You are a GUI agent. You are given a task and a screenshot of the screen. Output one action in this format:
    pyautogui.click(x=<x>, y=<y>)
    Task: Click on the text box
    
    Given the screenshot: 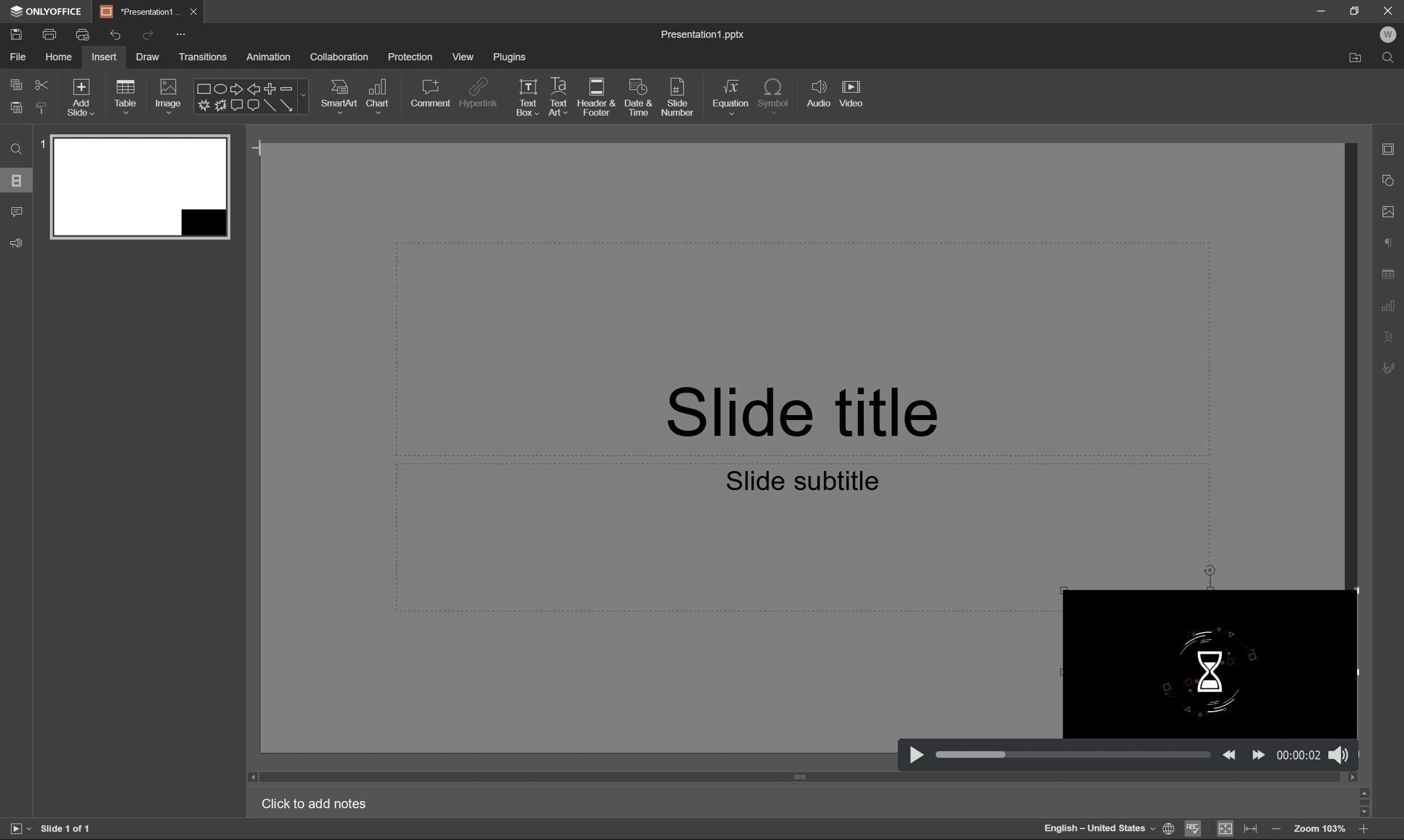 What is the action you would take?
    pyautogui.click(x=528, y=97)
    